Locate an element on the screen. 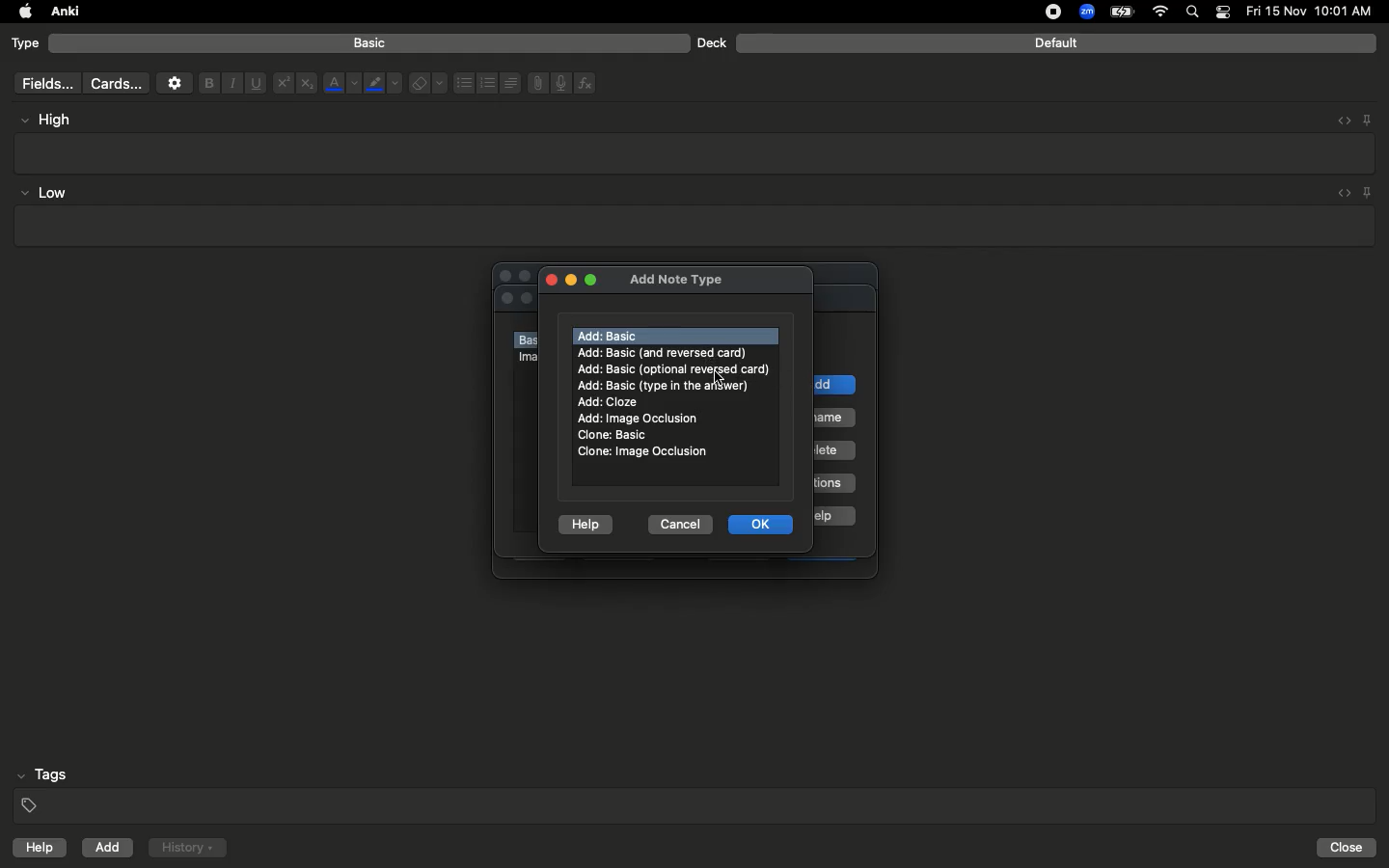 This screenshot has width=1389, height=868. Internet is located at coordinates (1162, 13).